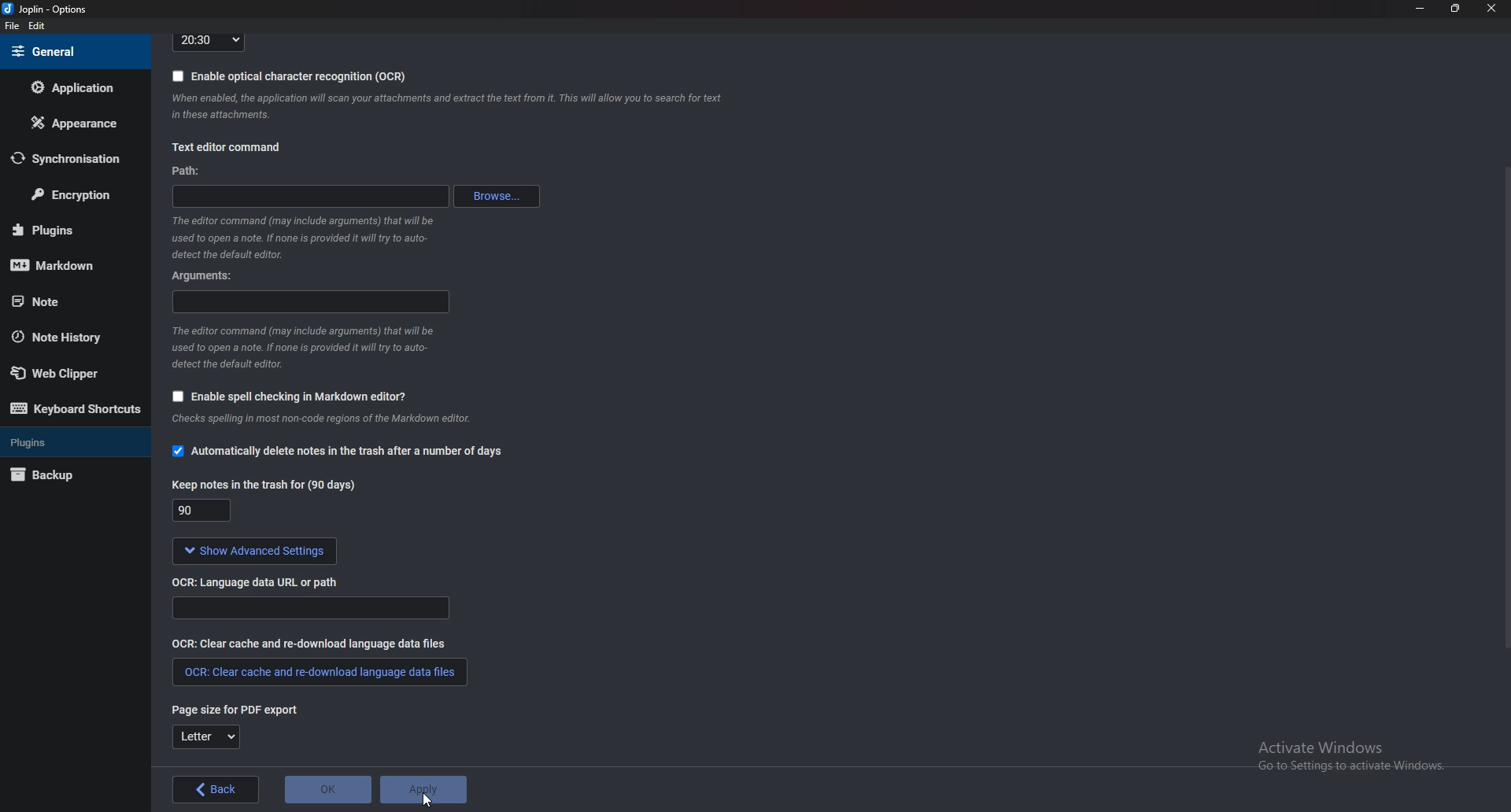 Image resolution: width=1511 pixels, height=812 pixels. What do you see at coordinates (499, 196) in the screenshot?
I see `Browse` at bounding box center [499, 196].